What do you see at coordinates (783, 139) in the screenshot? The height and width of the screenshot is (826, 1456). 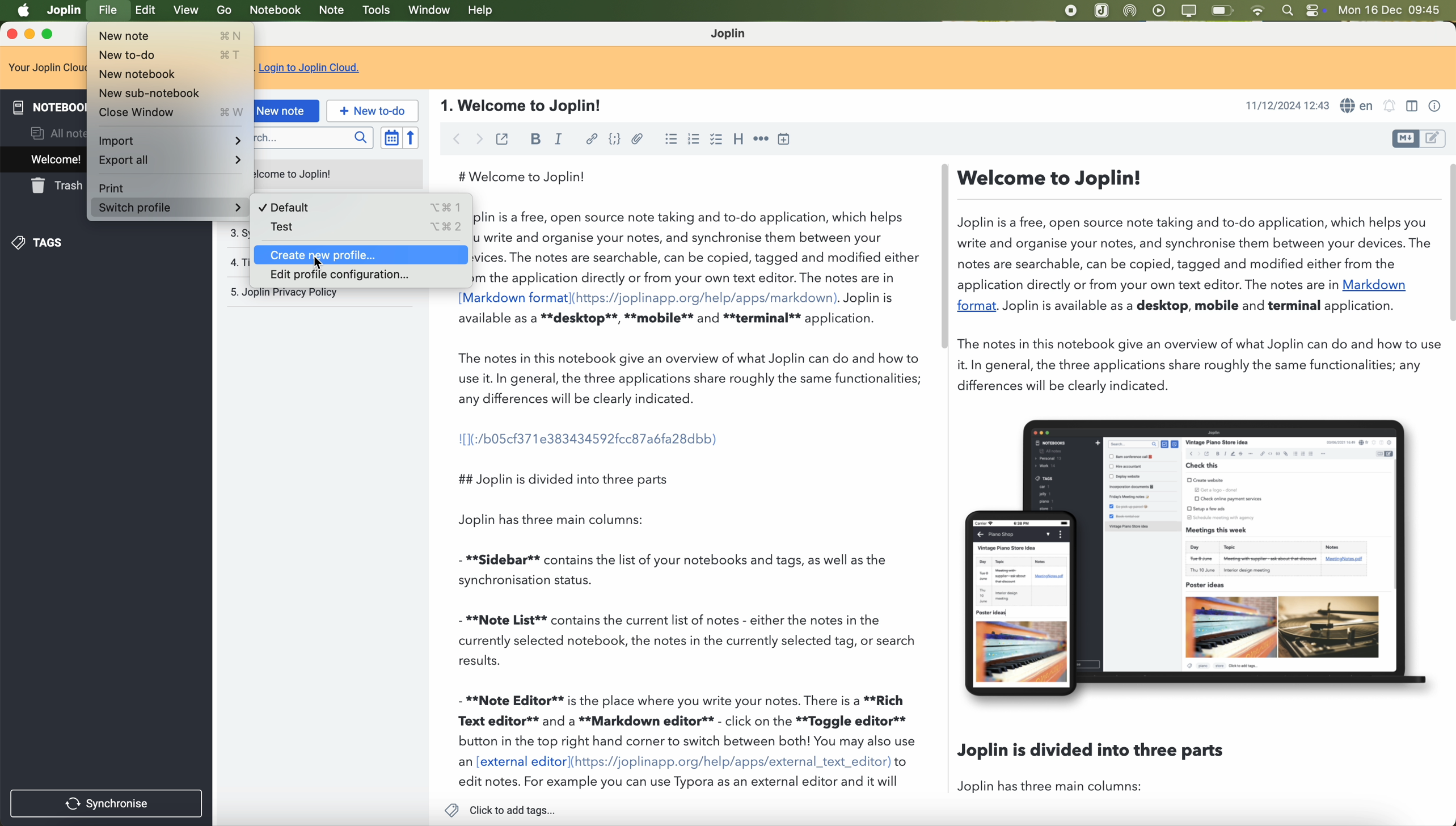 I see `insert time` at bounding box center [783, 139].